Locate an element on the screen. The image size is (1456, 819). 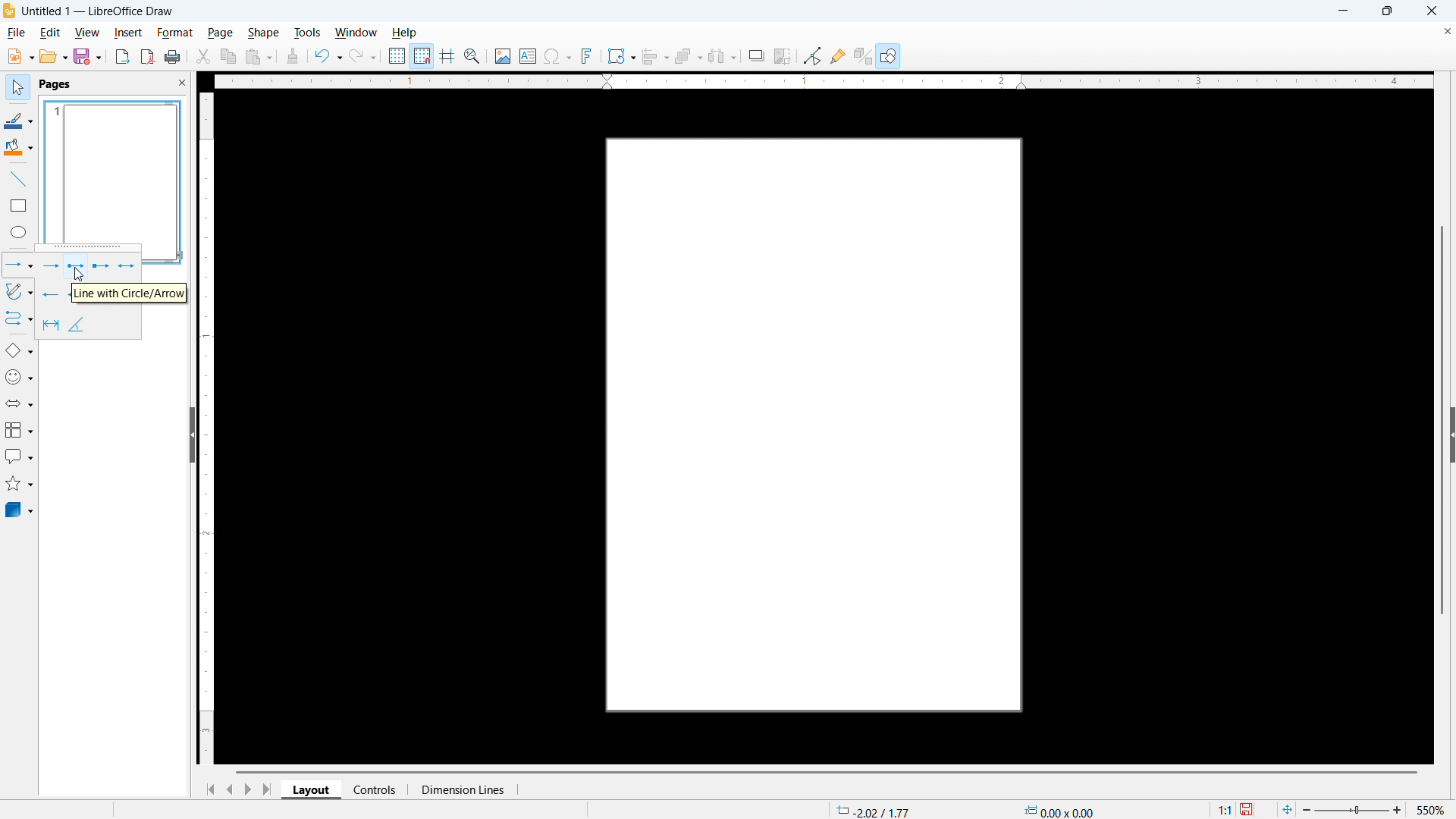
Line Ends with arrow   is located at coordinates (51, 265).